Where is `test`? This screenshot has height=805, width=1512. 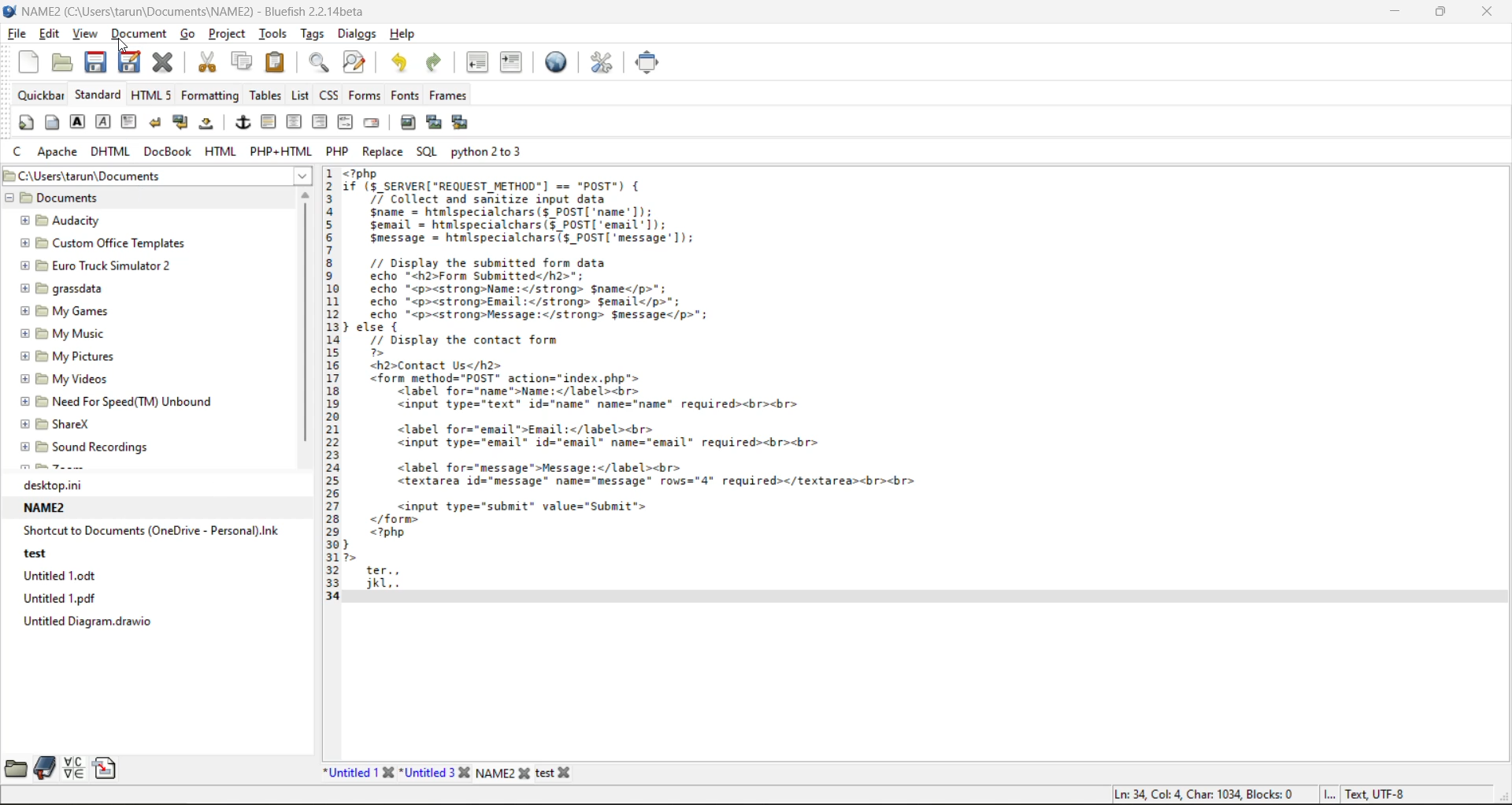
test is located at coordinates (47, 556).